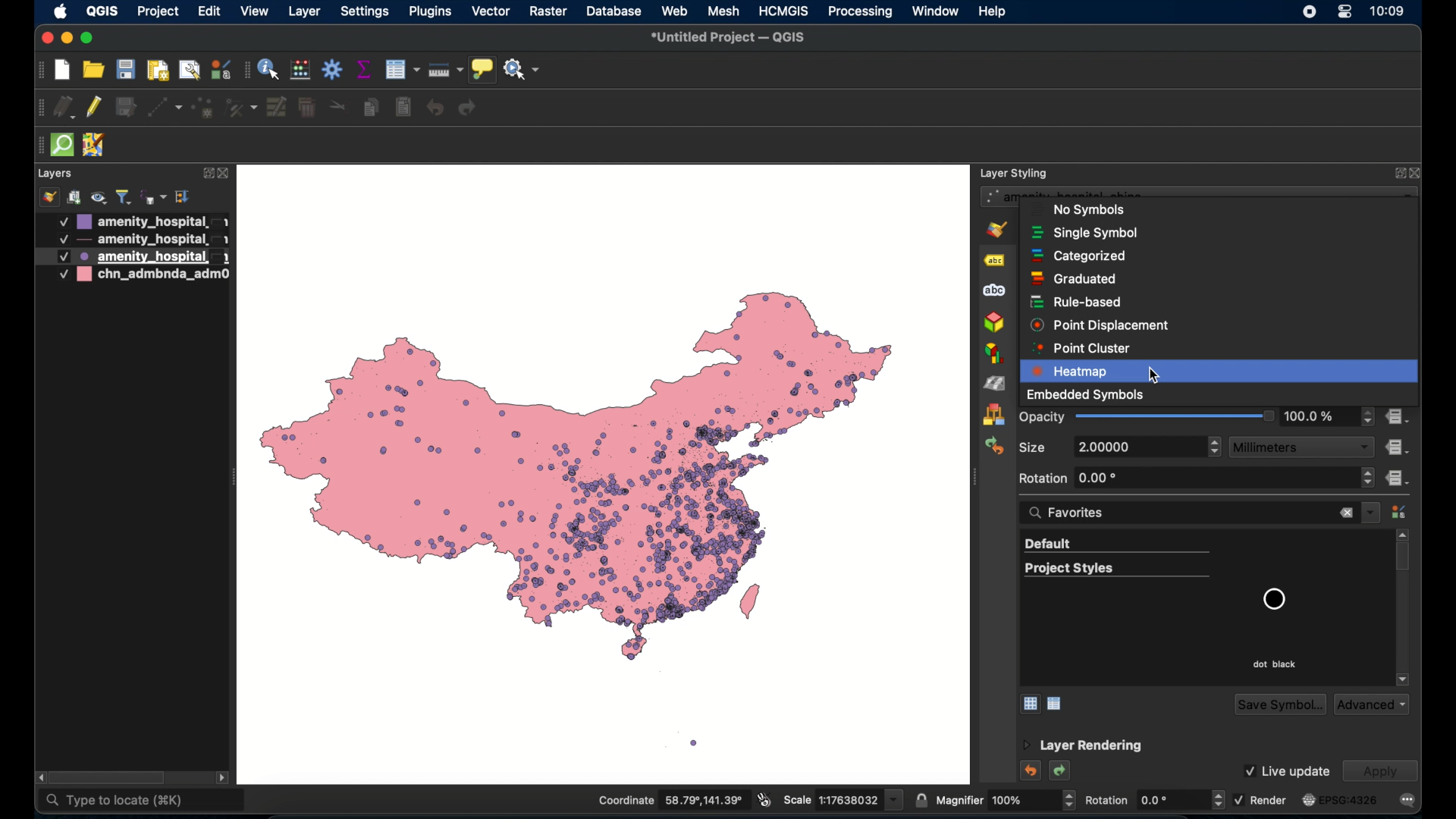 The image size is (1456, 819). What do you see at coordinates (1399, 513) in the screenshot?
I see `style manager` at bounding box center [1399, 513].